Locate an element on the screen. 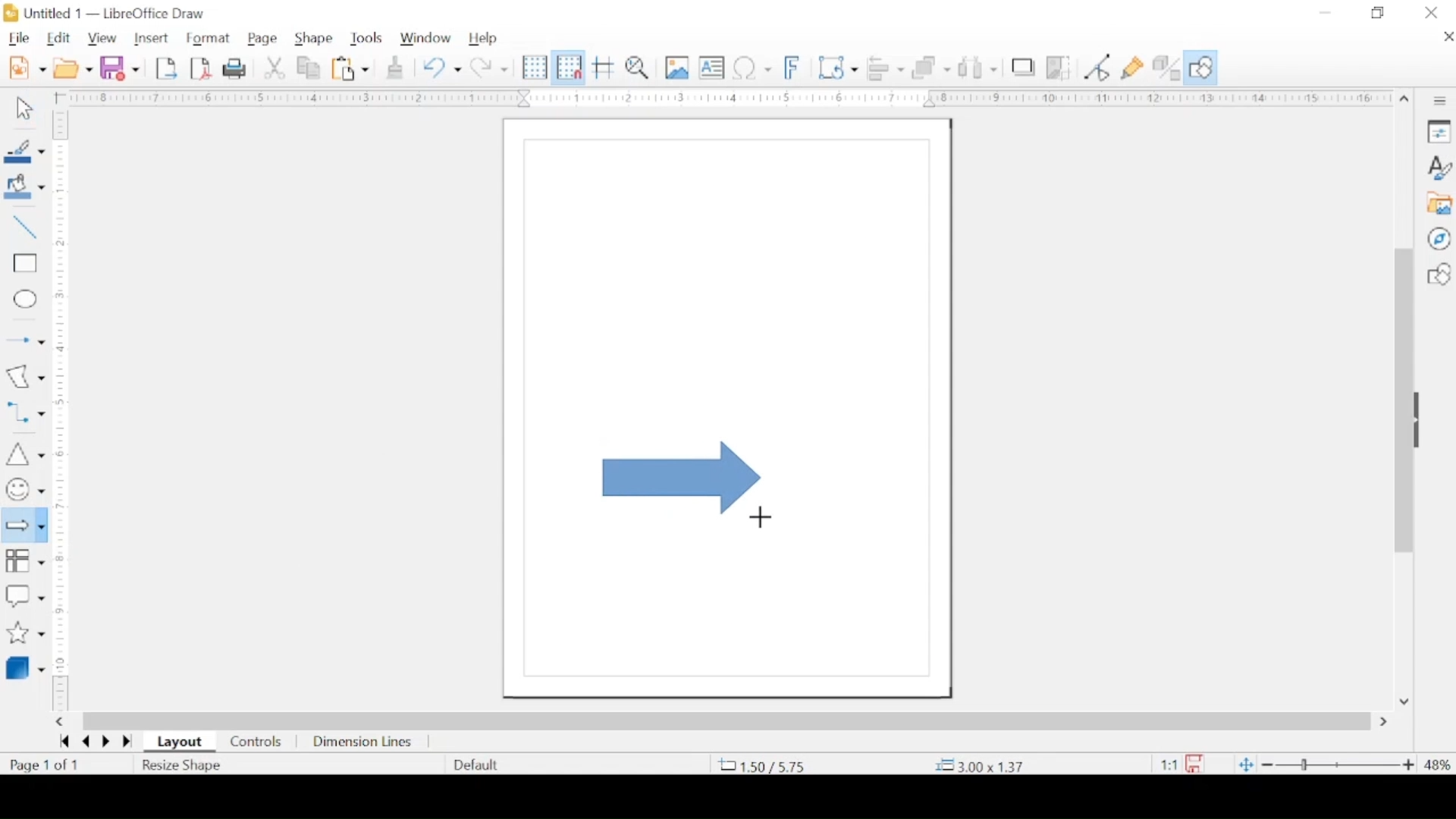 The image size is (1456, 819). stars and banners is located at coordinates (25, 634).